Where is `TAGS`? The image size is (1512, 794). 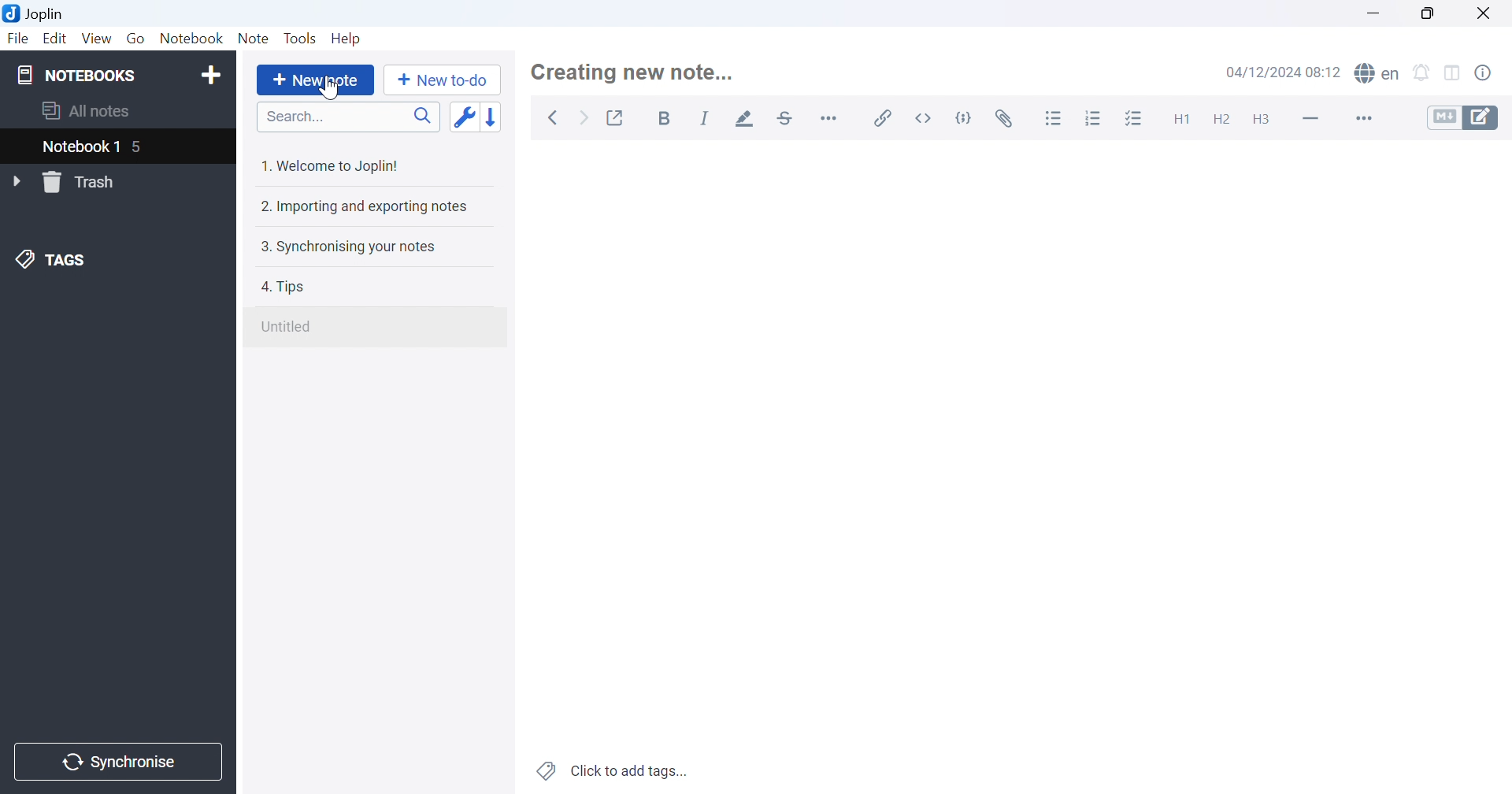
TAGS is located at coordinates (53, 262).